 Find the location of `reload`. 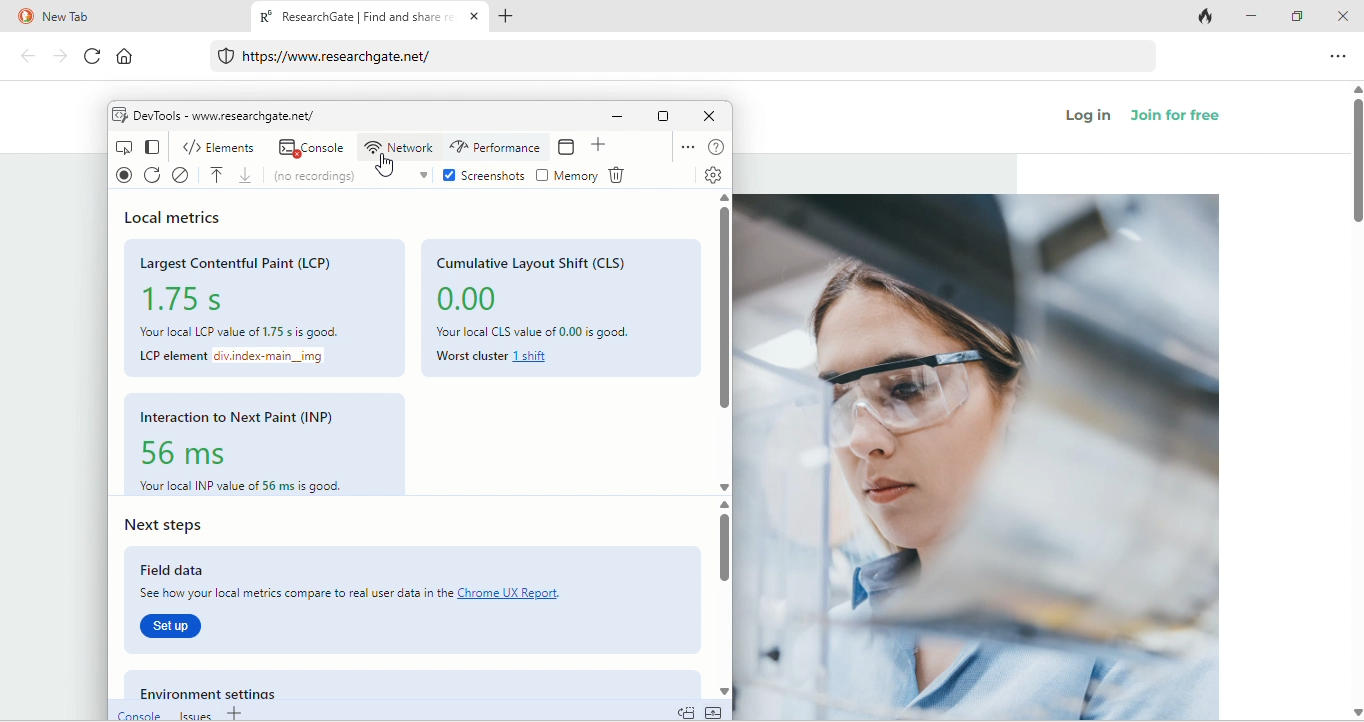

reload is located at coordinates (152, 175).